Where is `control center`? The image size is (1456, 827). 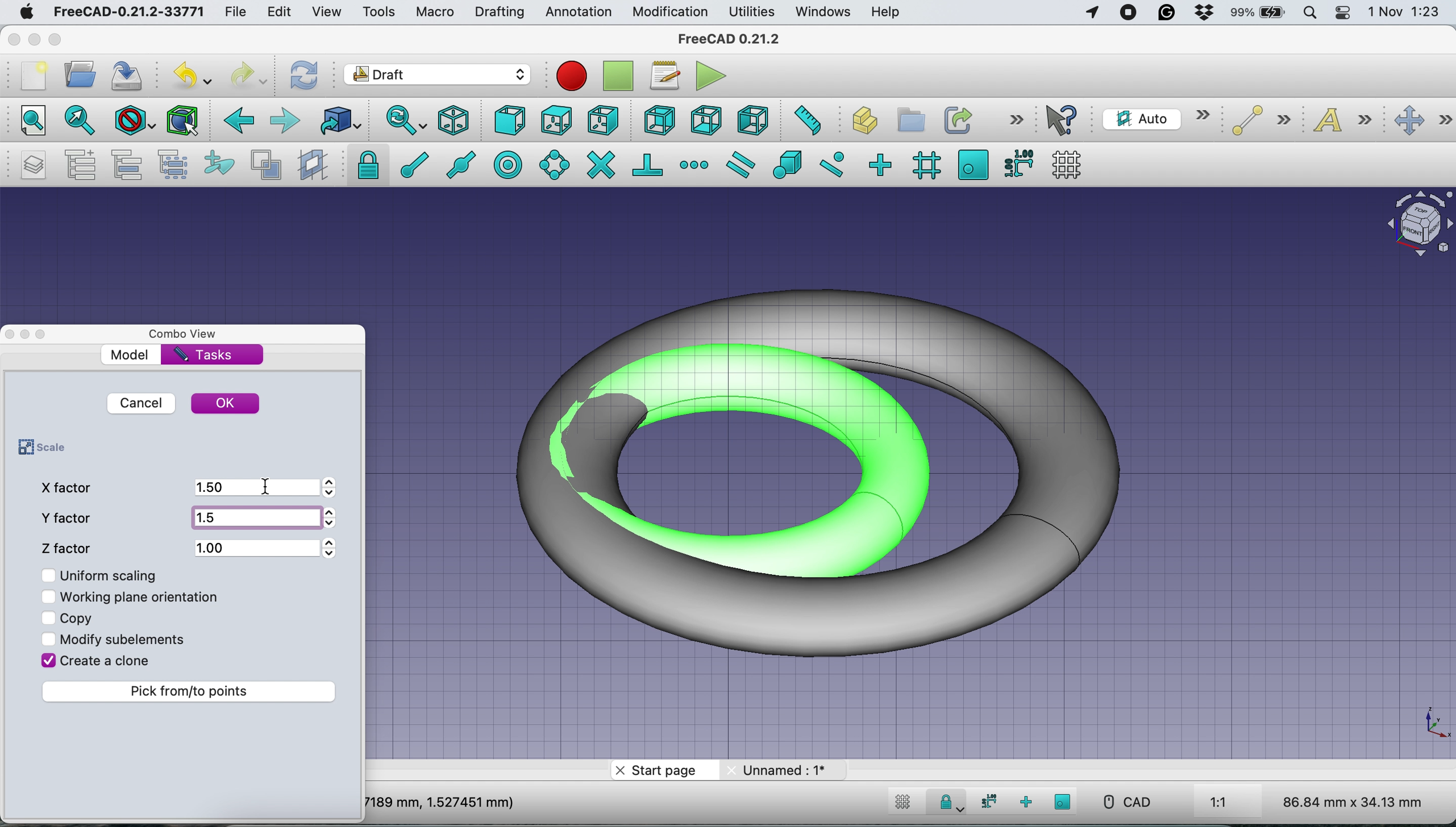
control center is located at coordinates (1342, 14).